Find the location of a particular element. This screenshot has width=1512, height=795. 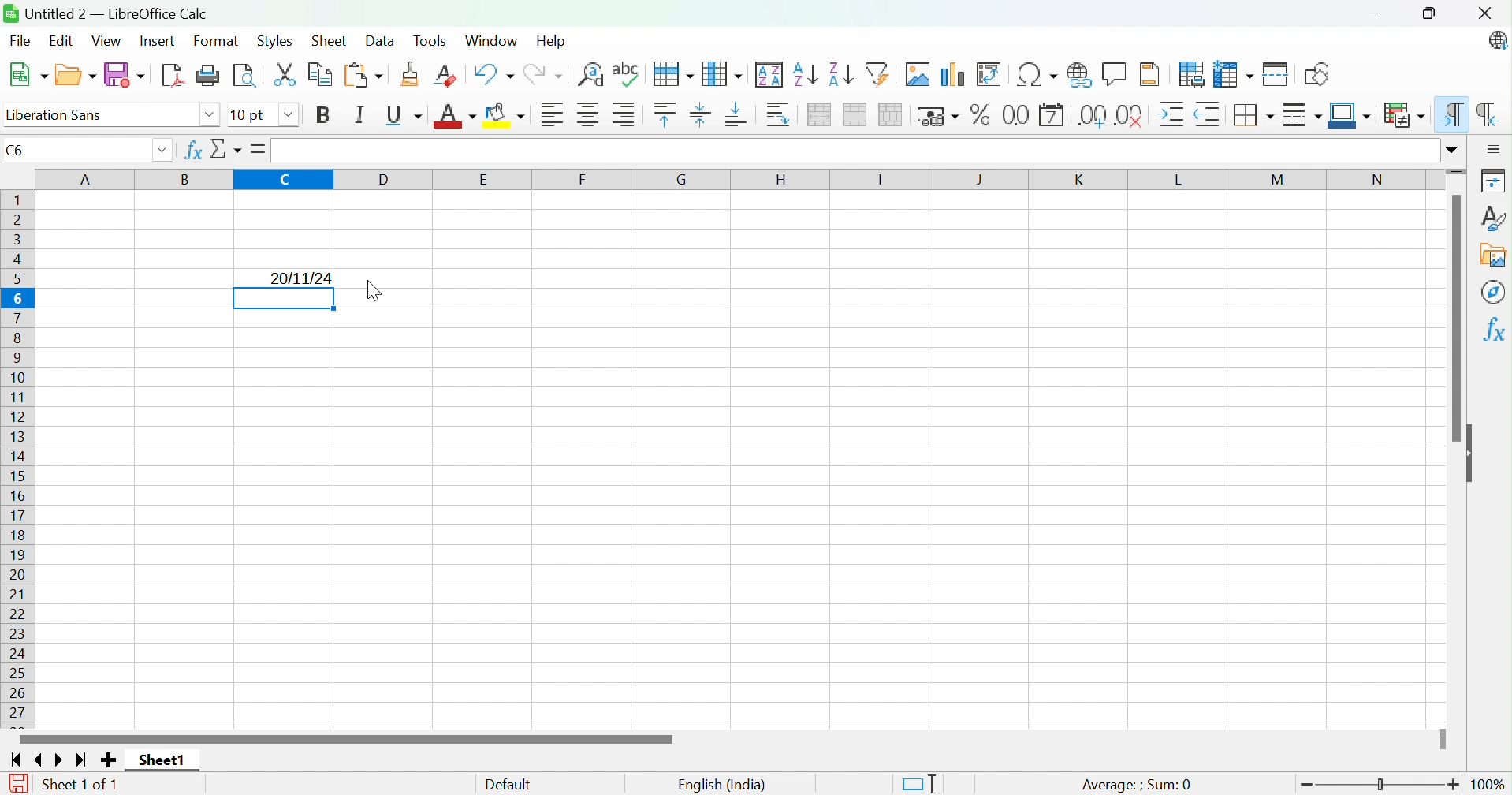

LibreOffice update available is located at coordinates (1496, 40).